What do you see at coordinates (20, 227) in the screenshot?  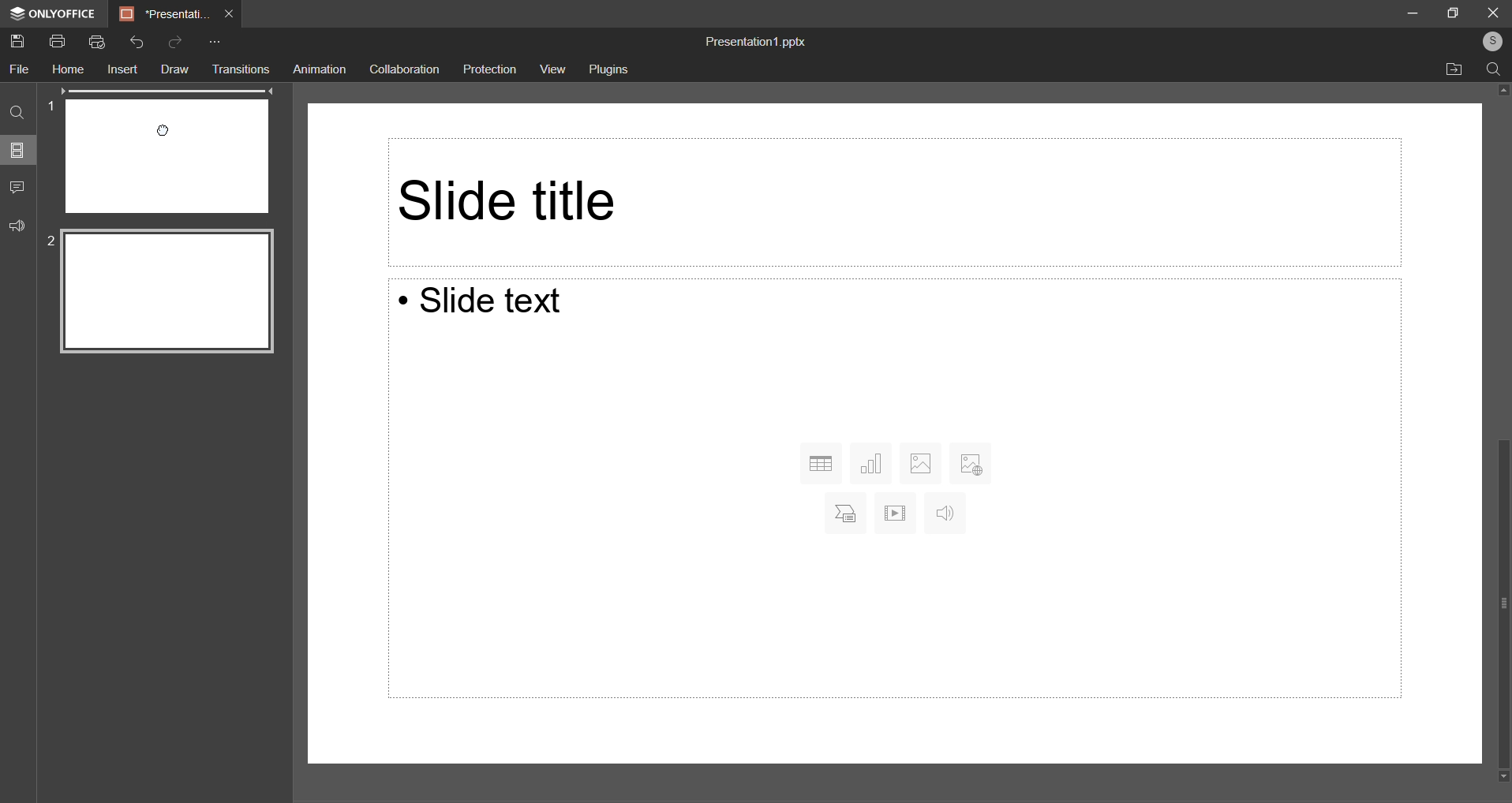 I see `Feedback` at bounding box center [20, 227].